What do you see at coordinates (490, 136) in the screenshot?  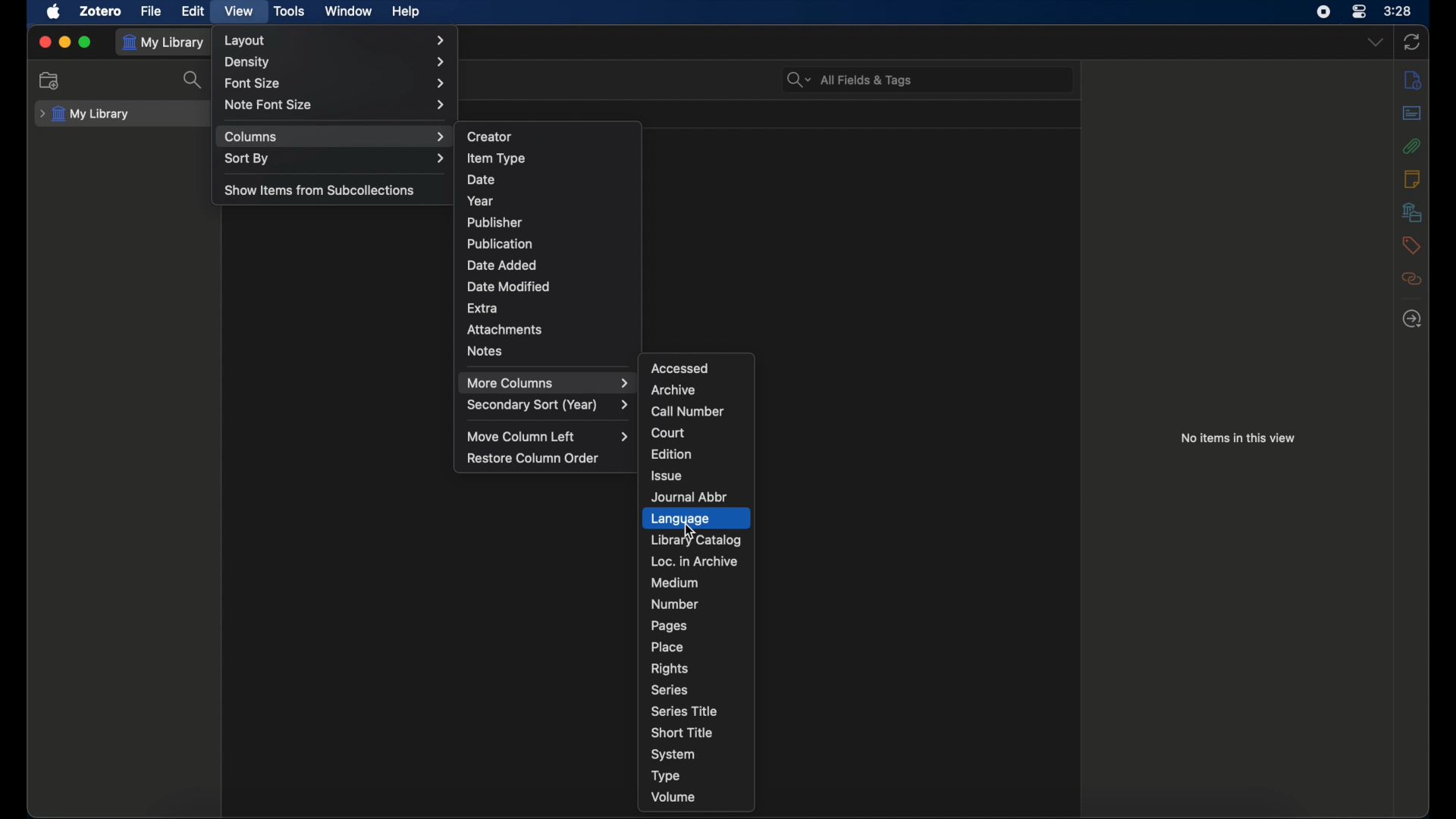 I see `creator` at bounding box center [490, 136].